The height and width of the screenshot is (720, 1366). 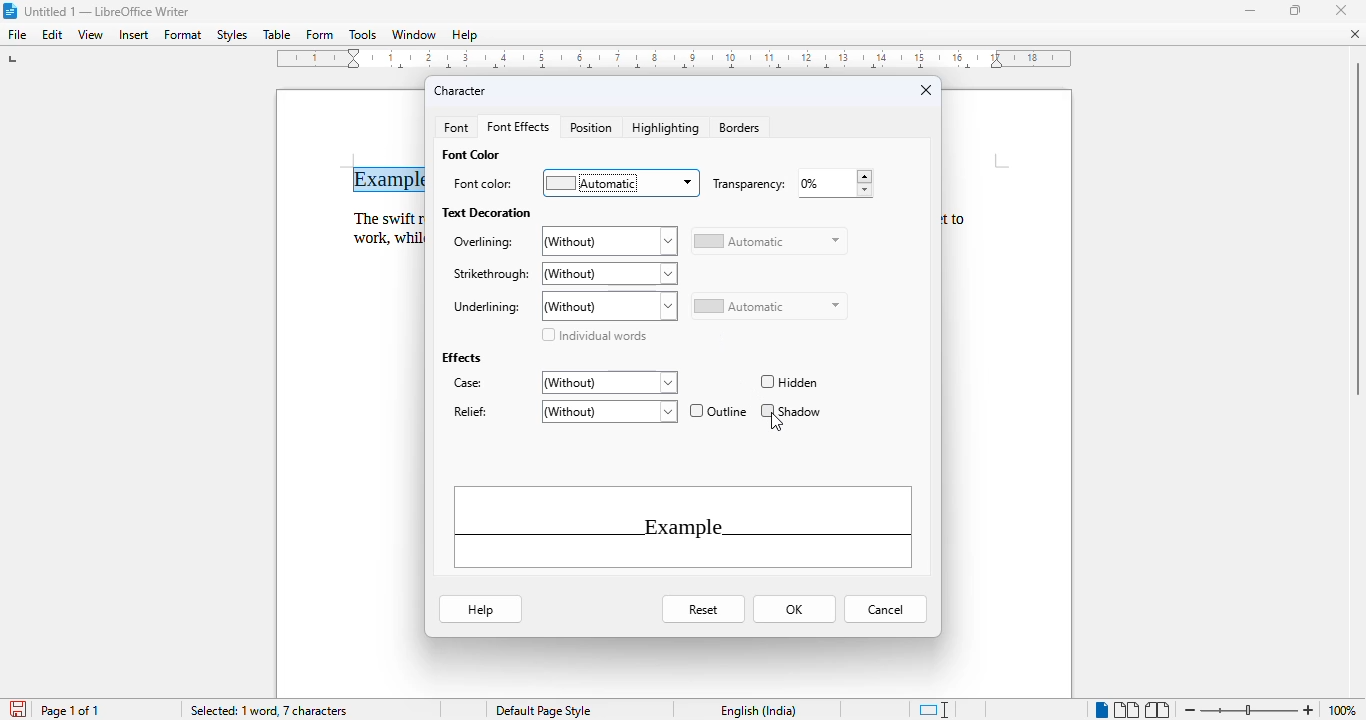 What do you see at coordinates (271, 711) in the screenshot?
I see `selected: 1 word, 7 characters` at bounding box center [271, 711].